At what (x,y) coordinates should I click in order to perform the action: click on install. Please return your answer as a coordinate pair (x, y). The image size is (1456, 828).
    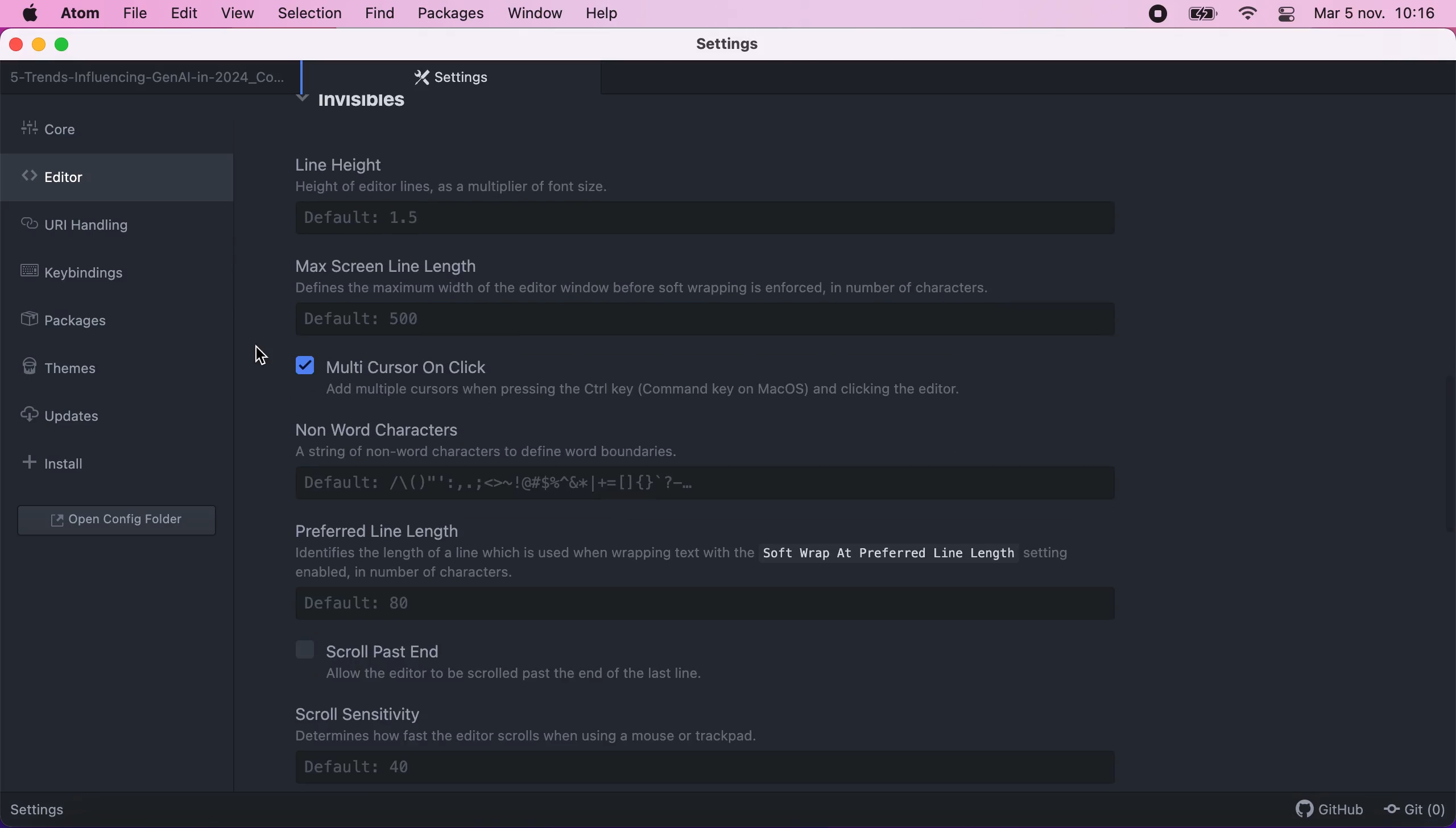
    Looking at the image, I should click on (60, 463).